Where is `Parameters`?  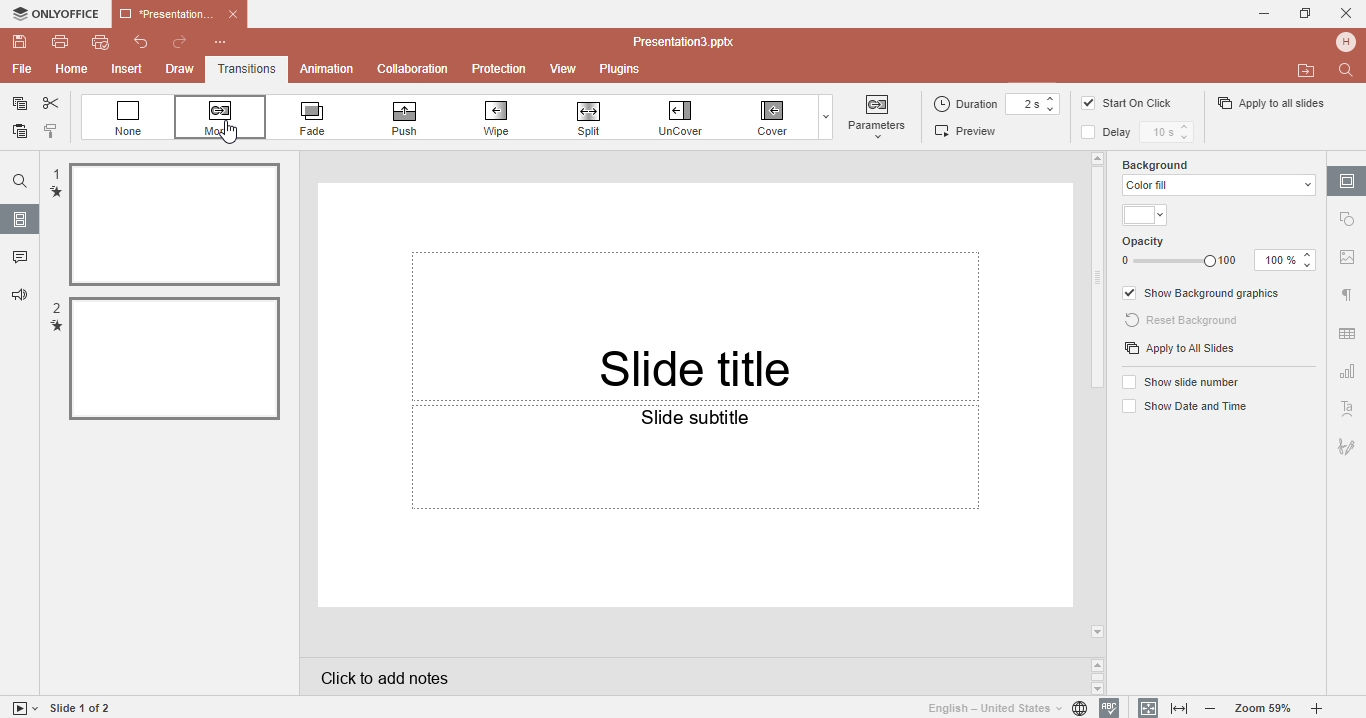
Parameters is located at coordinates (879, 116).